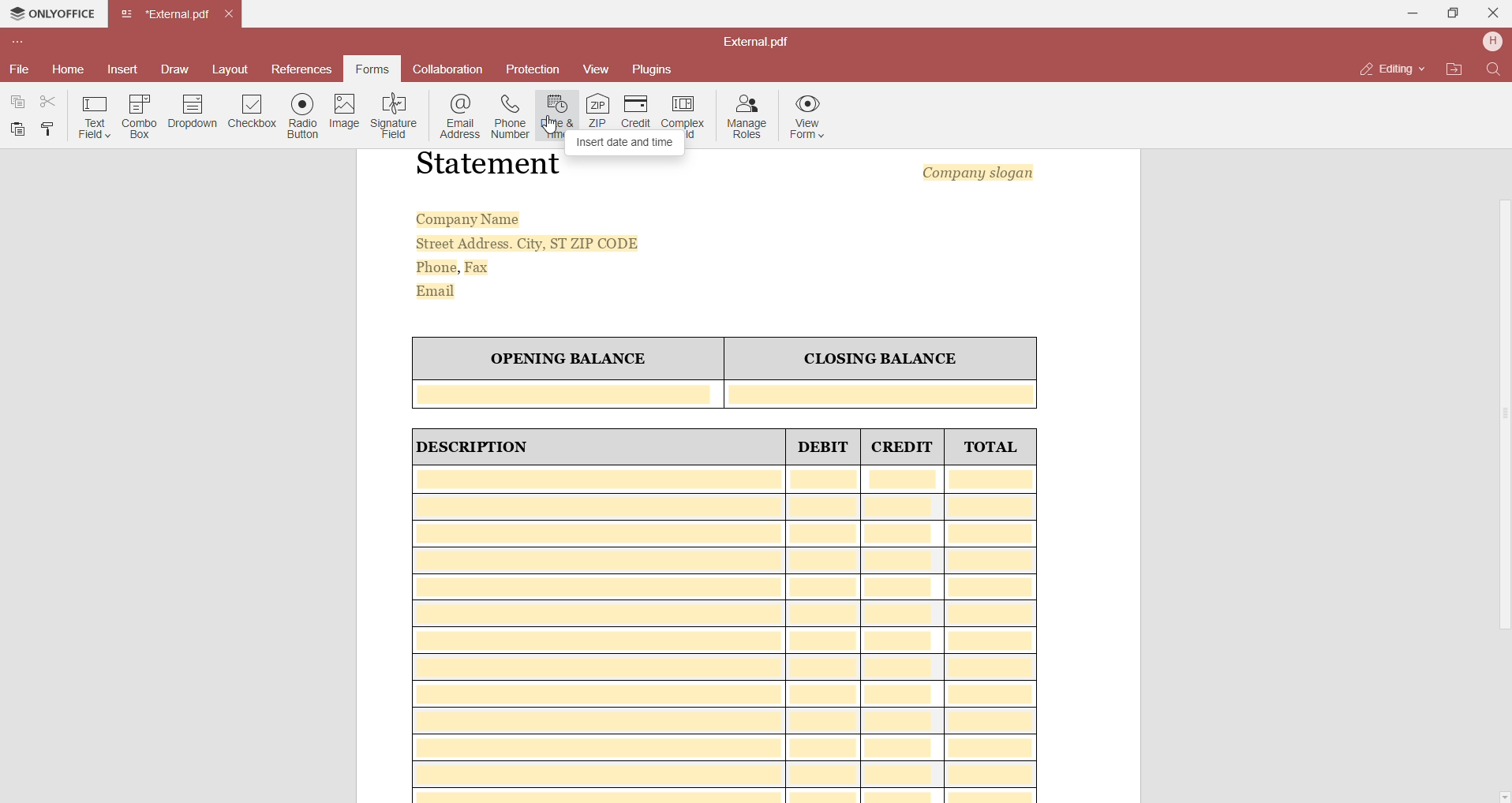  I want to click on Checkbox, so click(251, 112).